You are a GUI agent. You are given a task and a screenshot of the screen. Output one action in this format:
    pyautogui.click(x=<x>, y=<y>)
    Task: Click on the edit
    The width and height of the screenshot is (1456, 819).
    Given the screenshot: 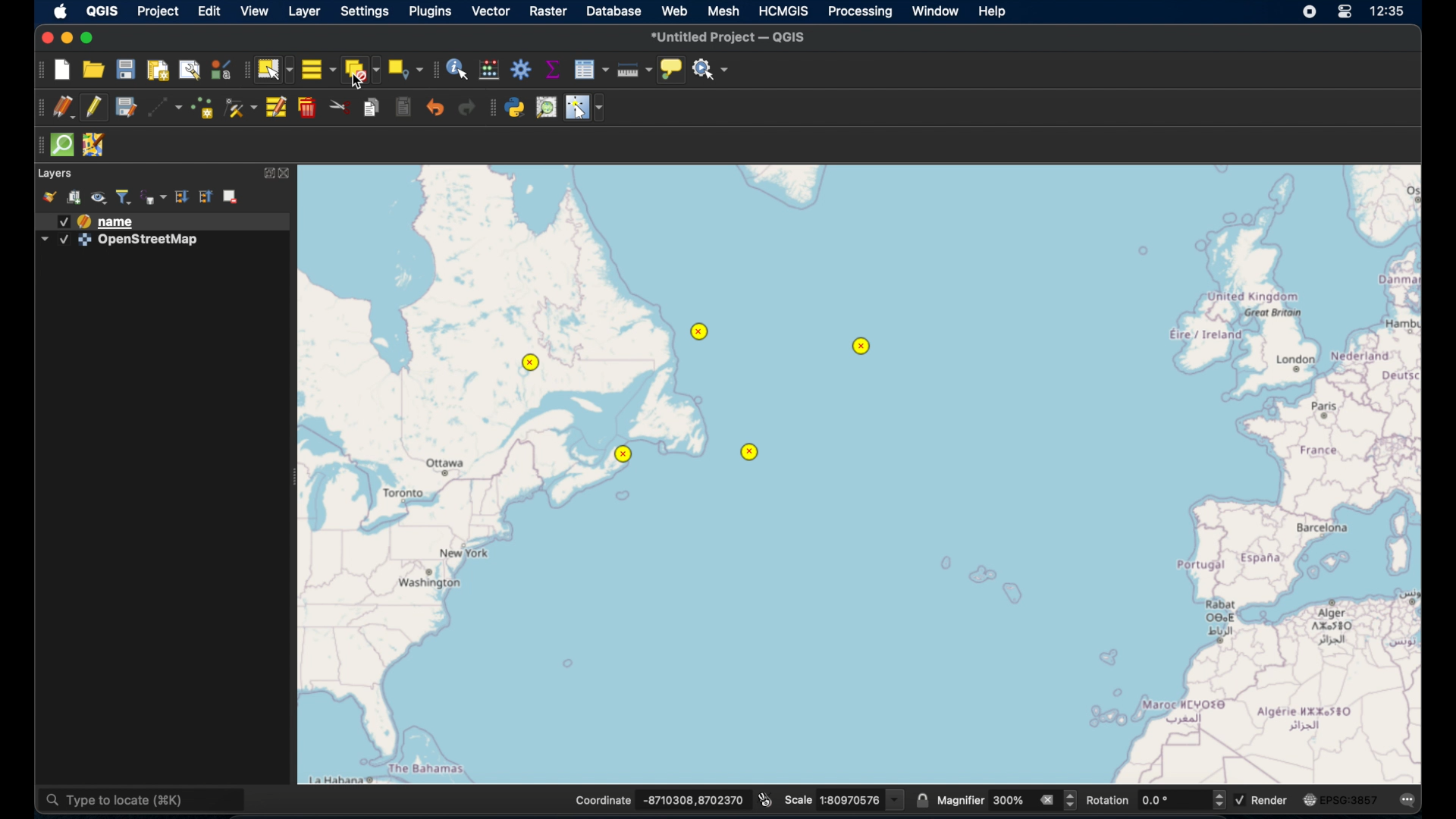 What is the action you would take?
    pyautogui.click(x=209, y=13)
    